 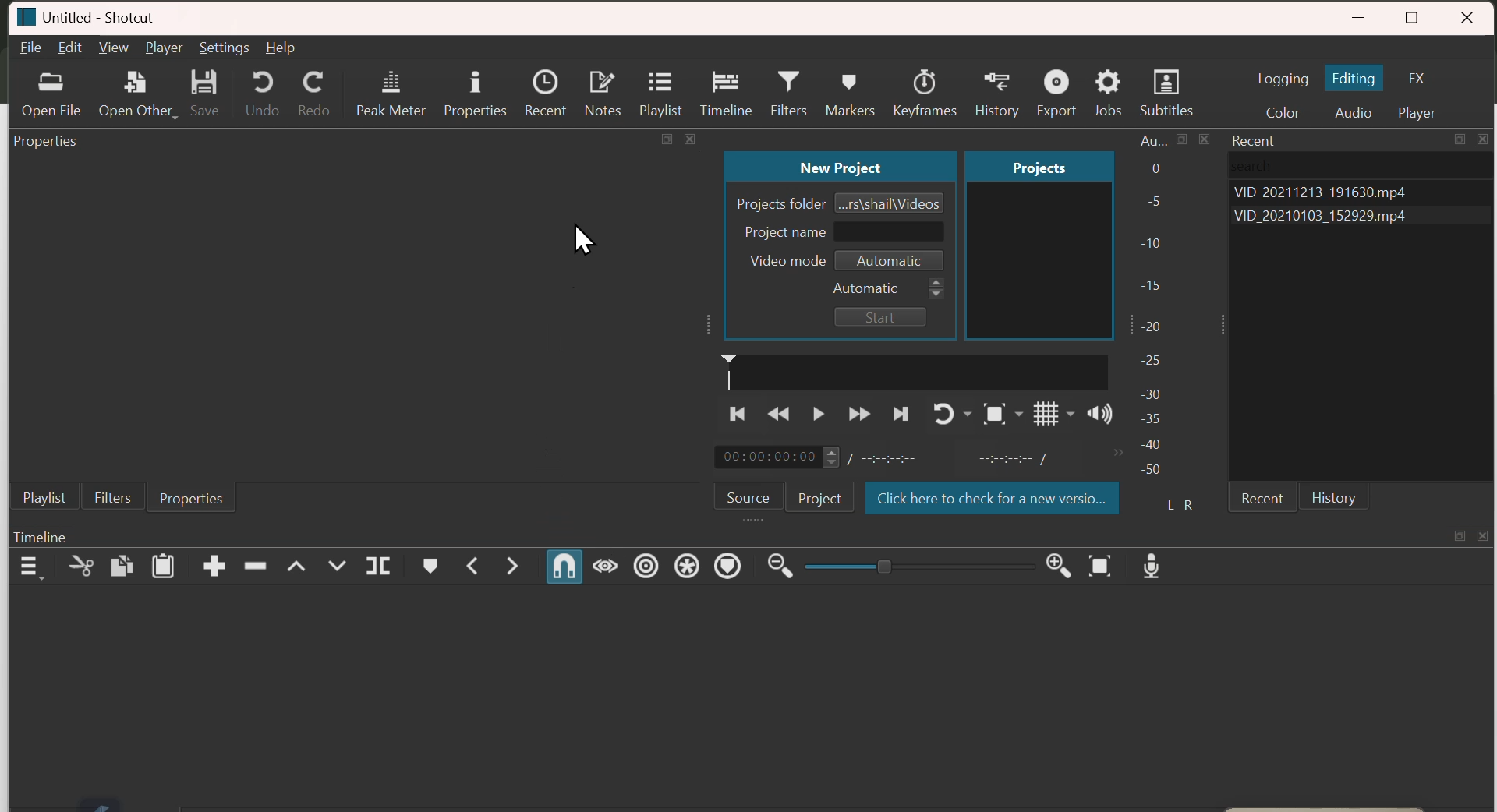 I want to click on Shortcut, so click(x=113, y=16).